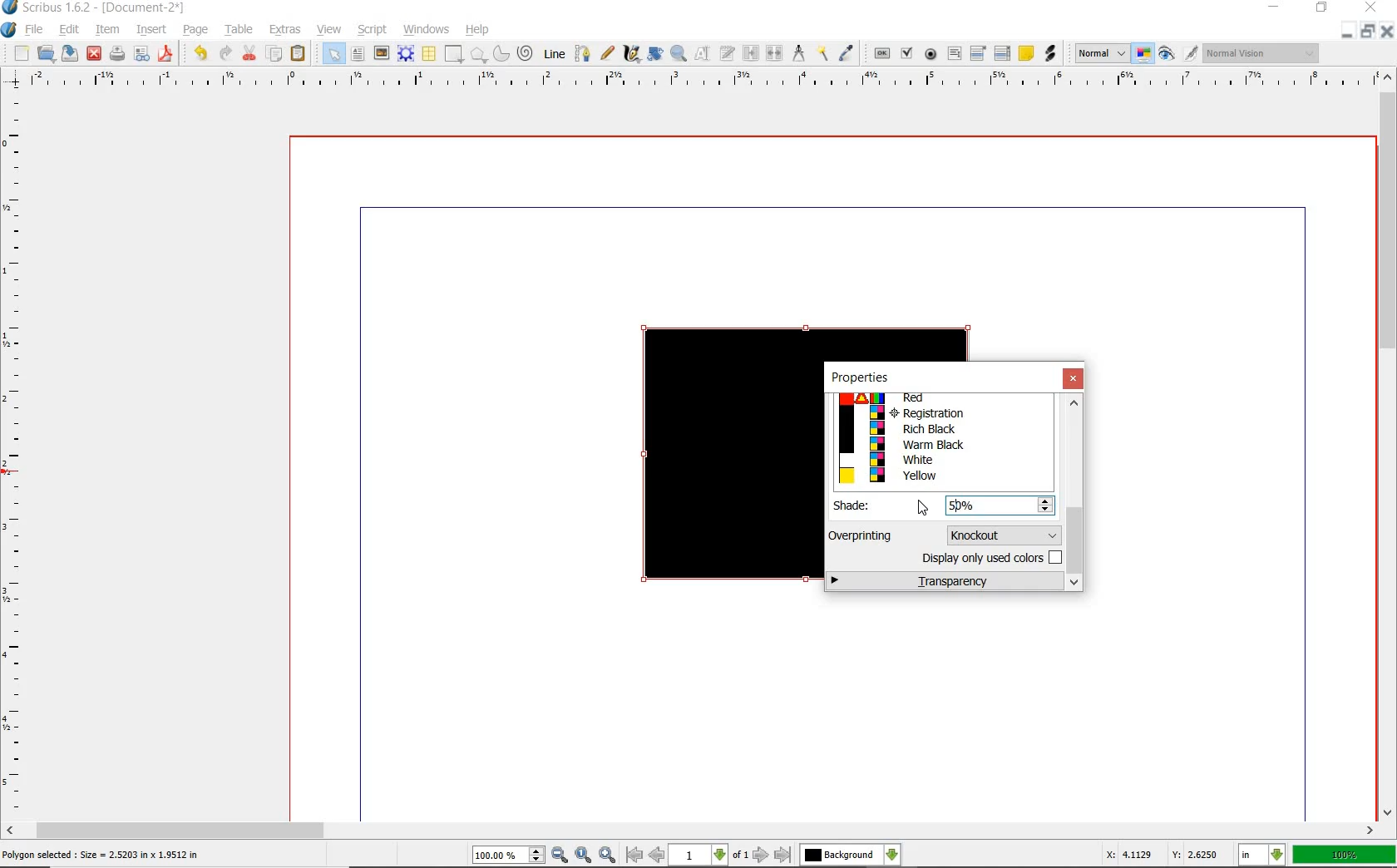  Describe the element at coordinates (607, 52) in the screenshot. I see `free hand line` at that location.